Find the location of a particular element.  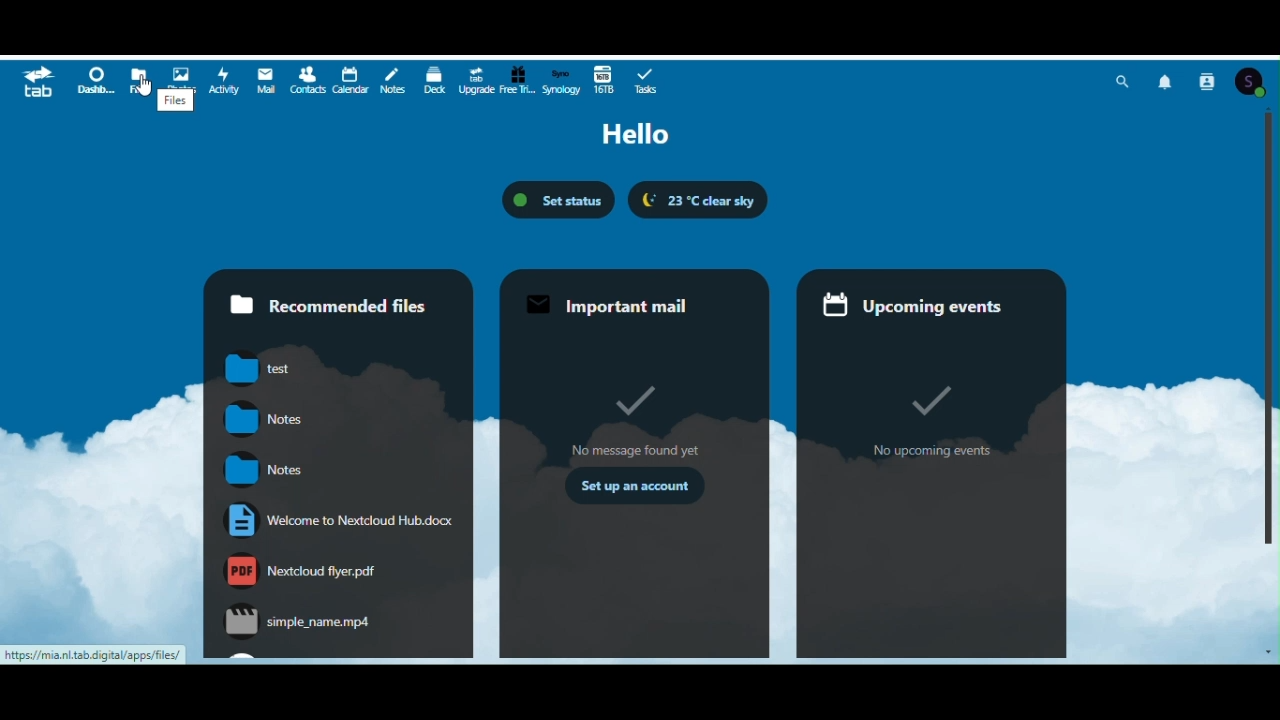

Search is located at coordinates (1126, 81).